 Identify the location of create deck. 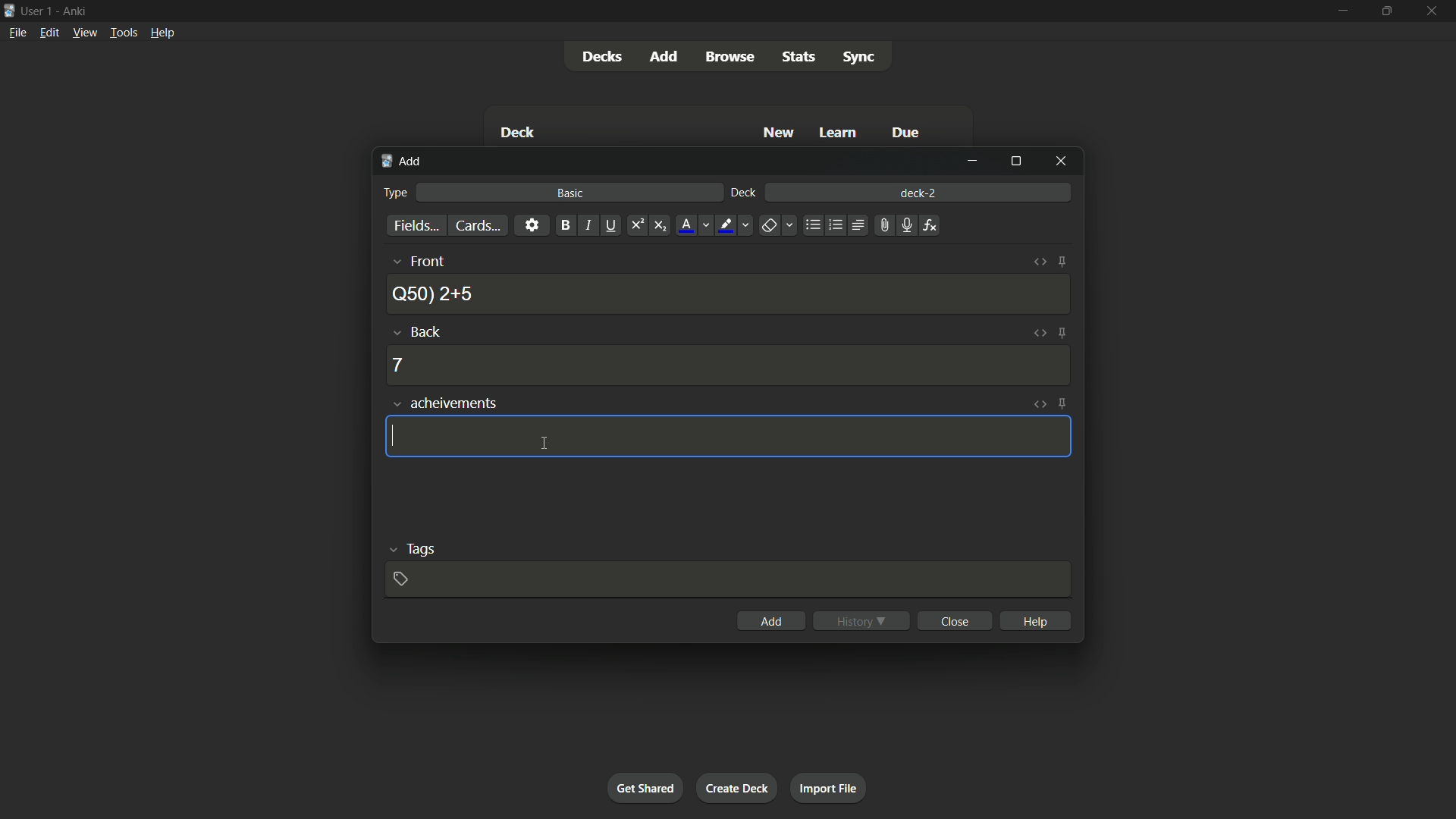
(738, 787).